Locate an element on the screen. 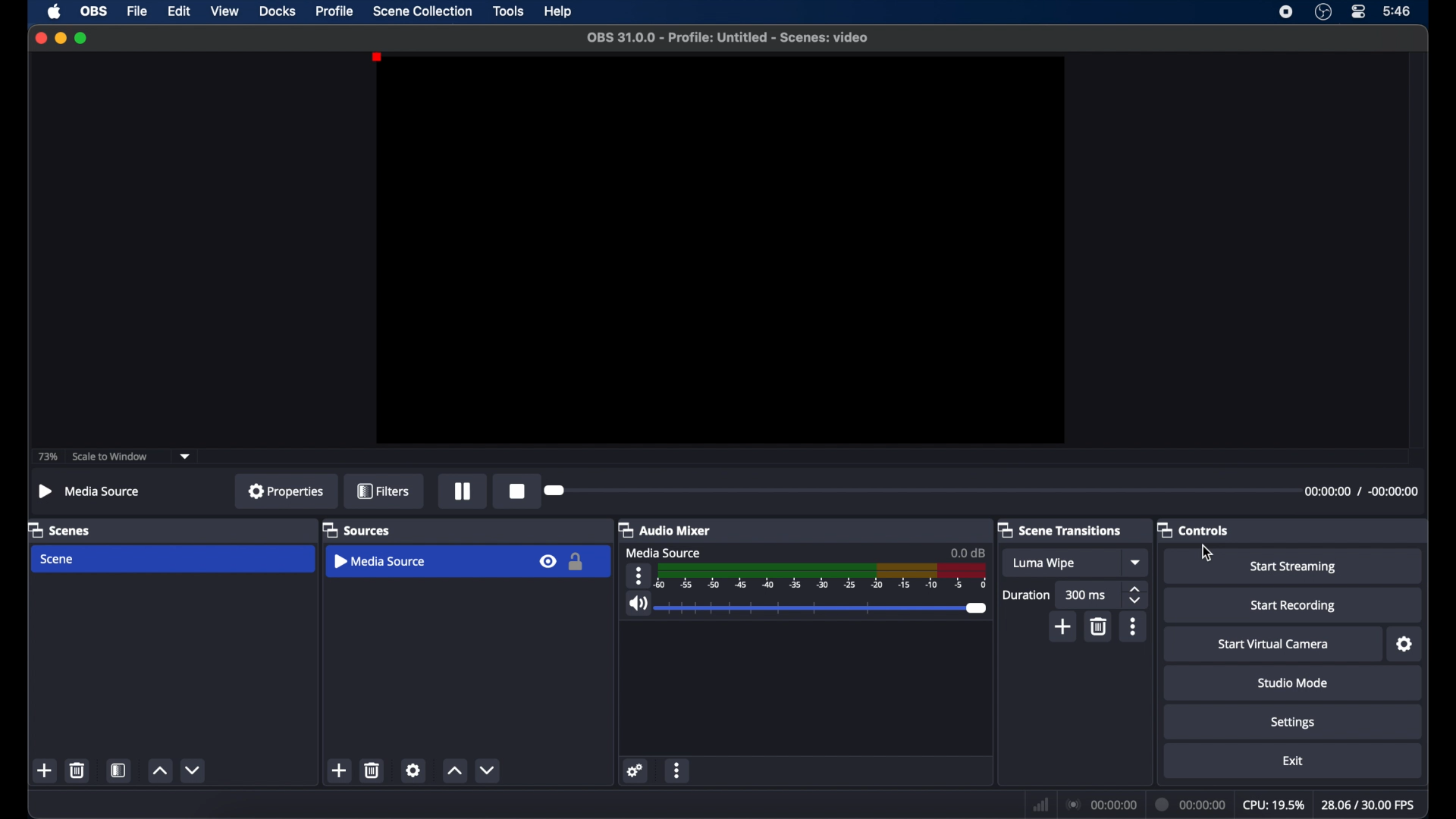  obs studio is located at coordinates (1323, 12).